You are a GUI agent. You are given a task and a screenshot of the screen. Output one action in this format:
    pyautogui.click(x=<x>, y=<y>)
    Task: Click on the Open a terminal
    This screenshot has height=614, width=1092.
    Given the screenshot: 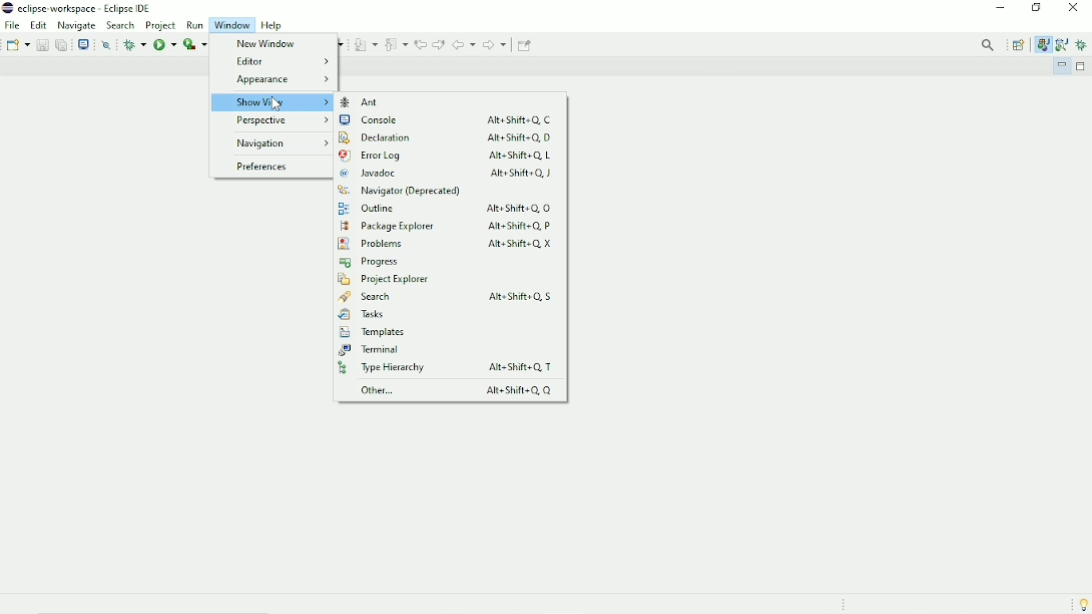 What is the action you would take?
    pyautogui.click(x=83, y=43)
    